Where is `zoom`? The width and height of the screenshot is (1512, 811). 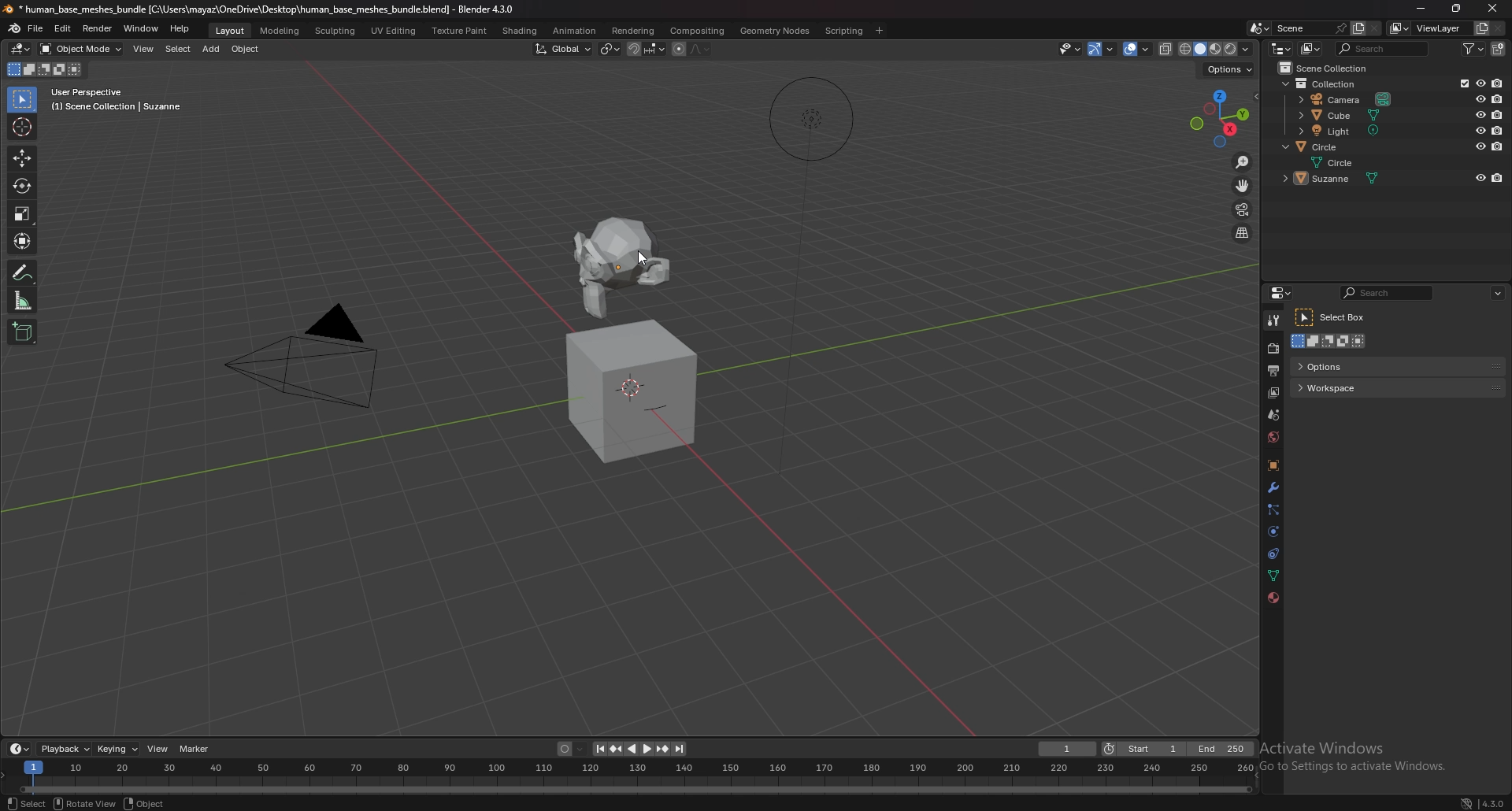
zoom is located at coordinates (1243, 162).